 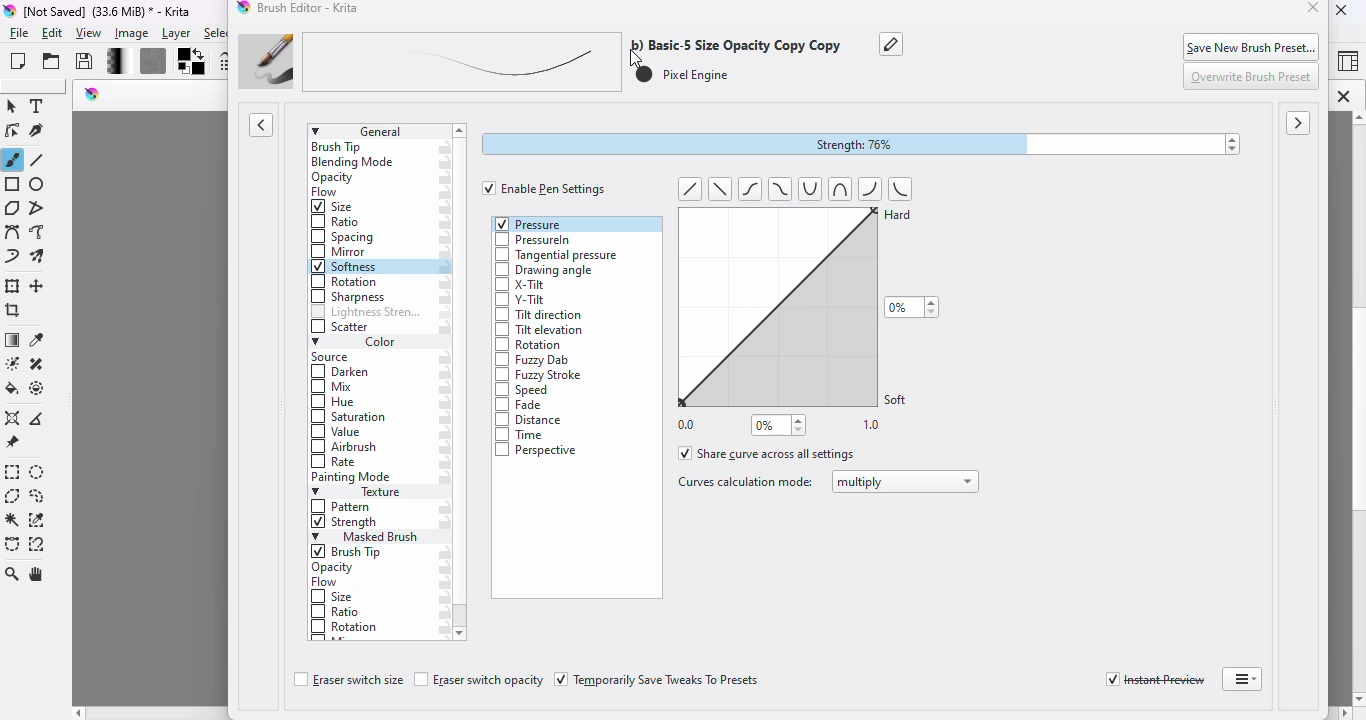 I want to click on speed, so click(x=523, y=390).